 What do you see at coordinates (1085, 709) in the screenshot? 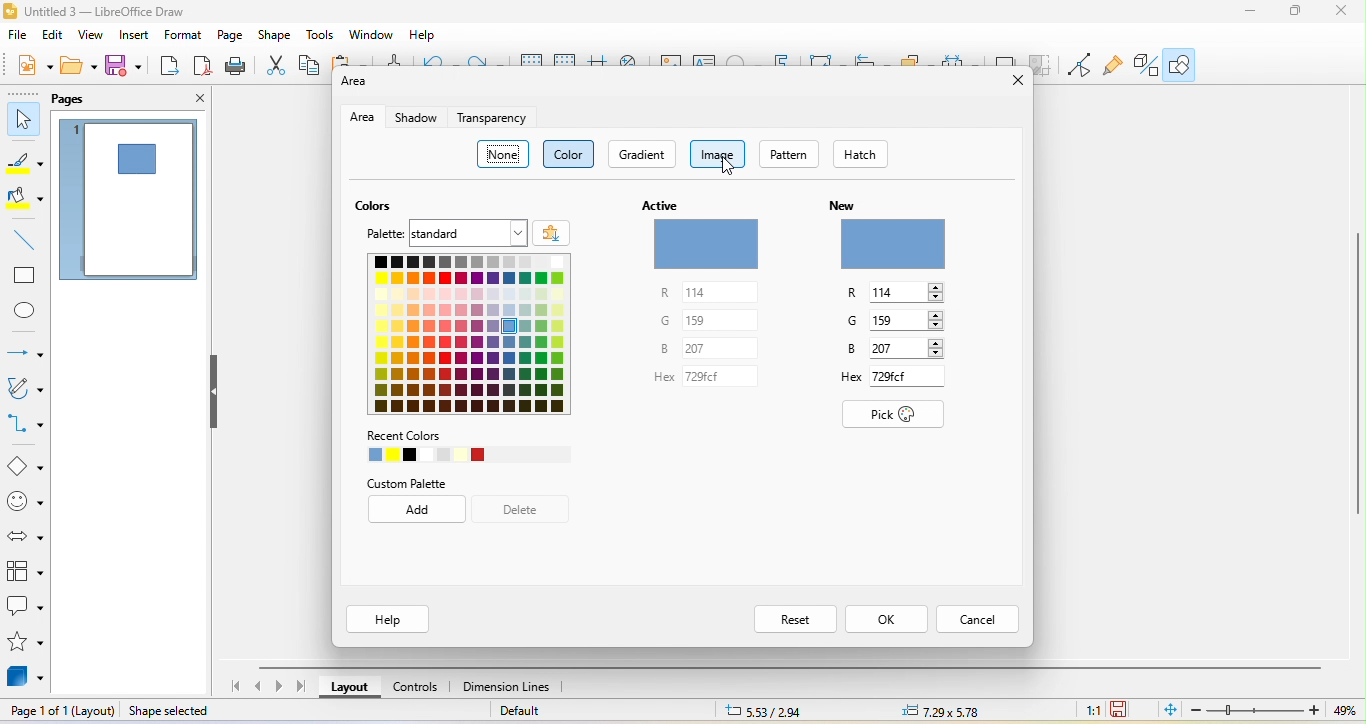
I see `1:1` at bounding box center [1085, 709].